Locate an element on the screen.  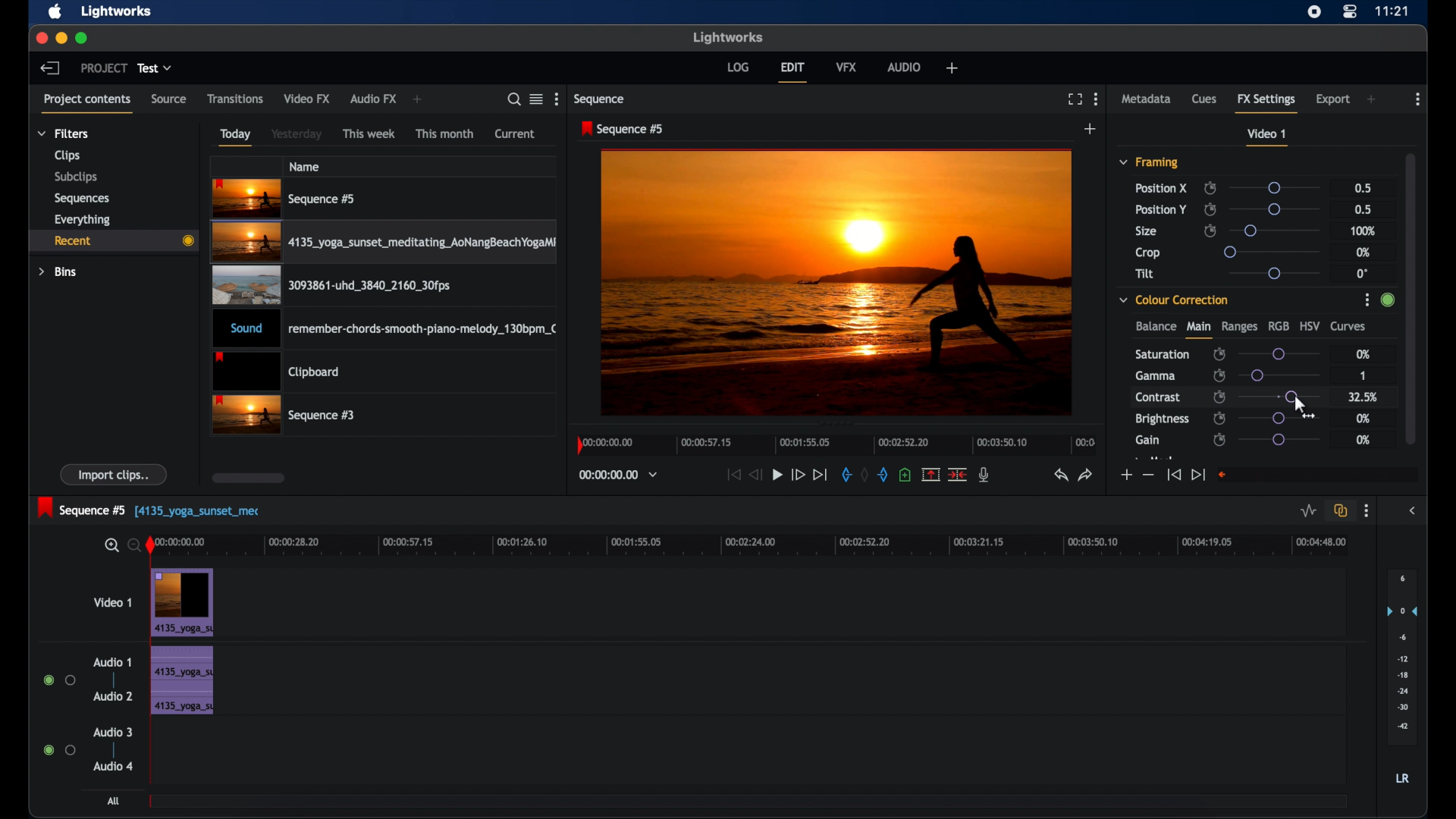
playhead is located at coordinates (151, 546).